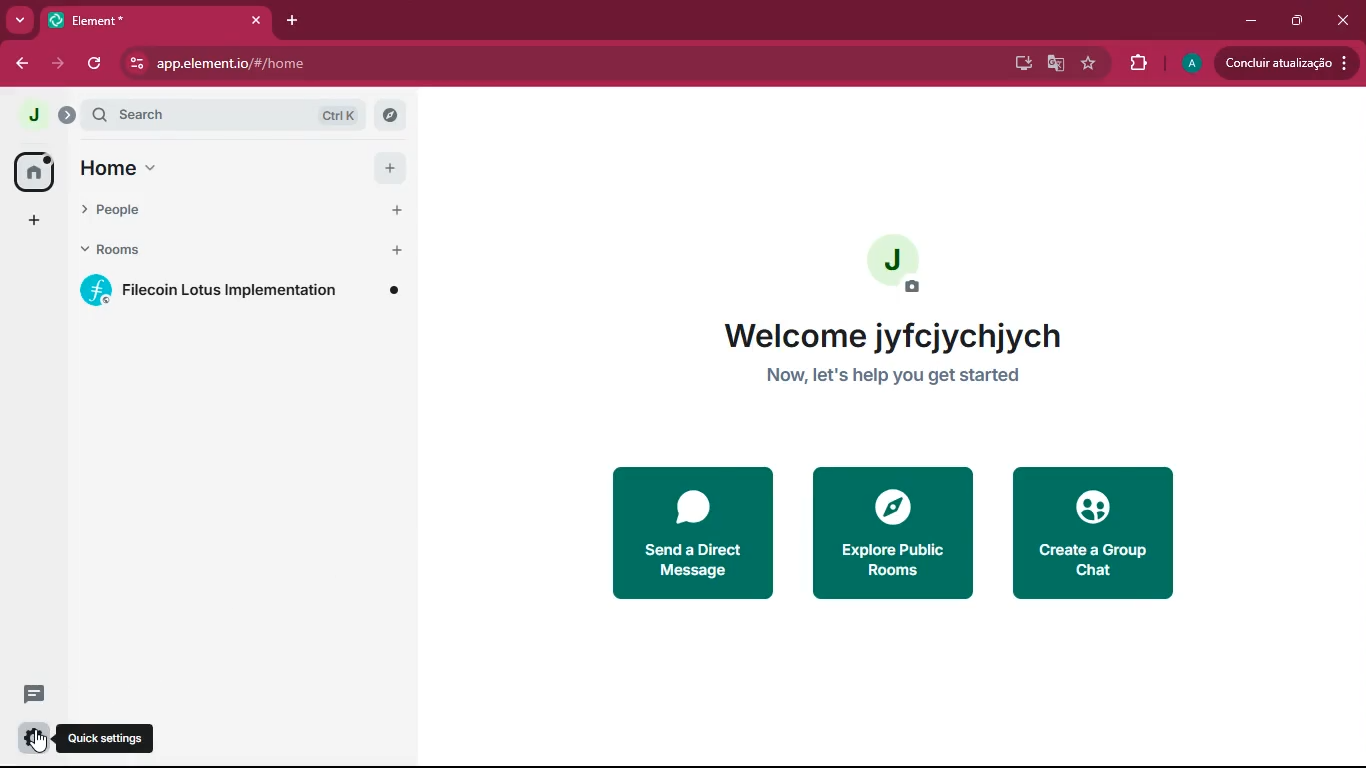 The image size is (1366, 768). What do you see at coordinates (96, 65) in the screenshot?
I see `refresh` at bounding box center [96, 65].